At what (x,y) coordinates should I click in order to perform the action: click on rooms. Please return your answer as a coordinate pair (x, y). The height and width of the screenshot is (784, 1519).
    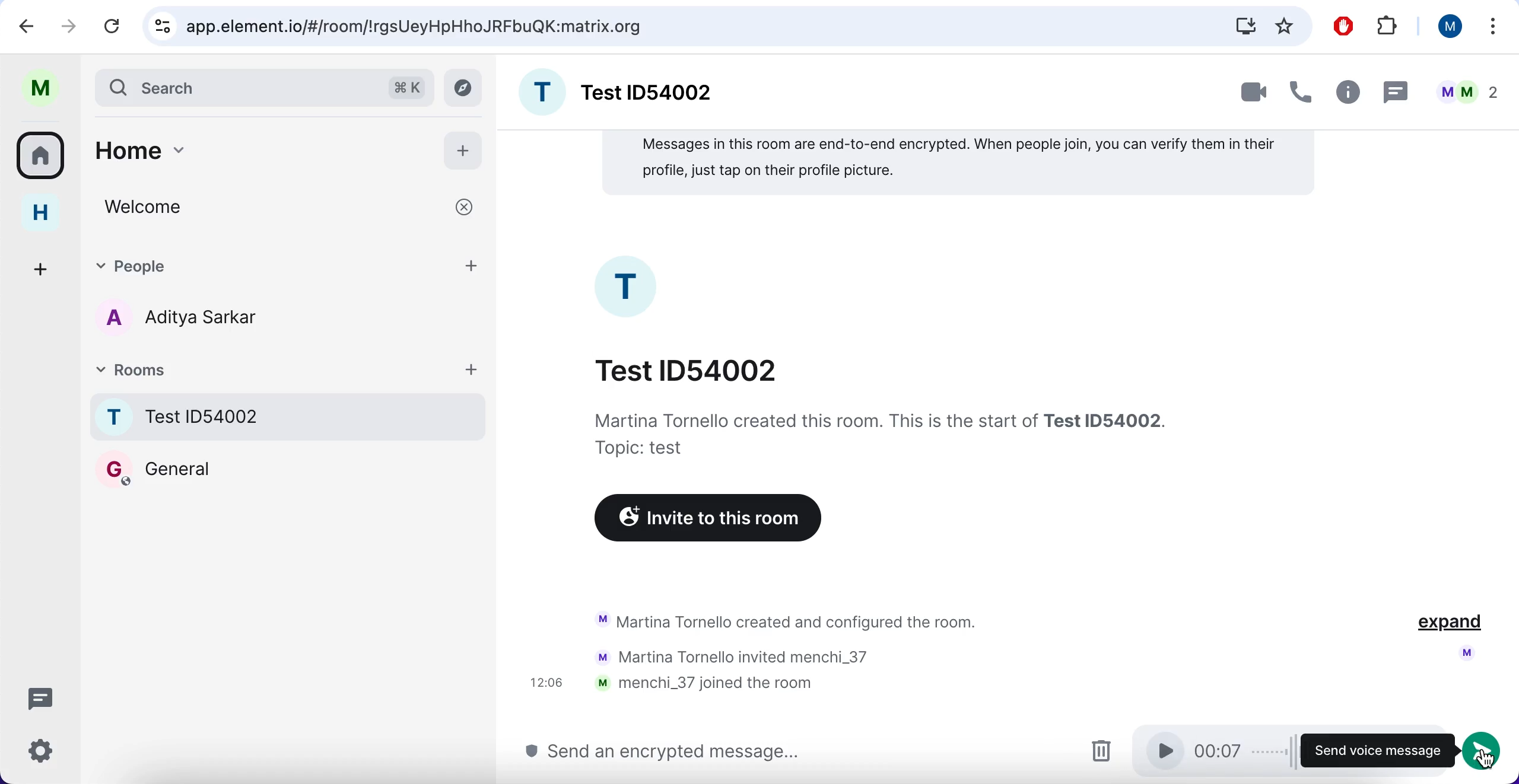
    Looking at the image, I should click on (291, 368).